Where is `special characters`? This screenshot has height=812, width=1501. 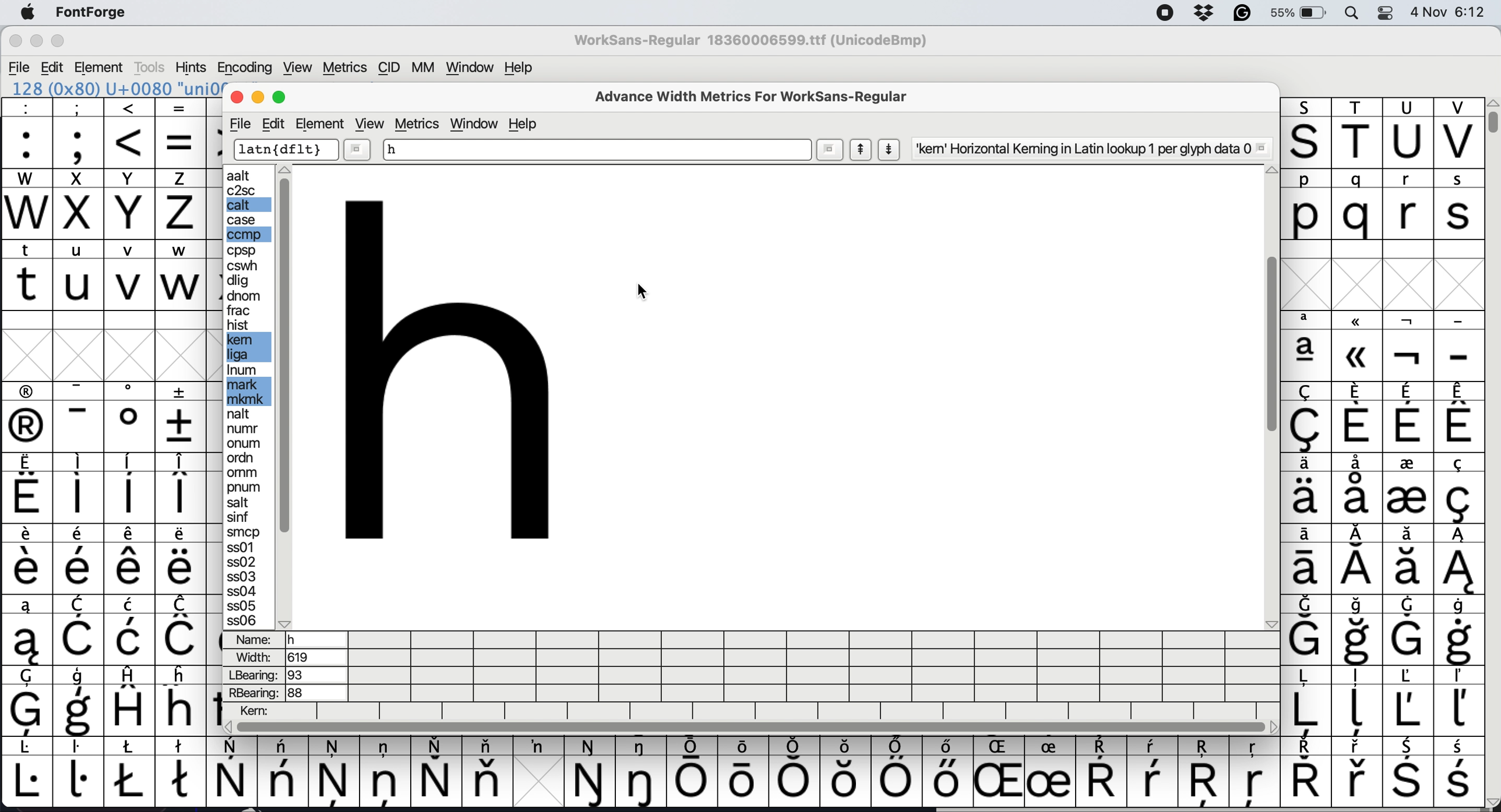 special characters is located at coordinates (112, 105).